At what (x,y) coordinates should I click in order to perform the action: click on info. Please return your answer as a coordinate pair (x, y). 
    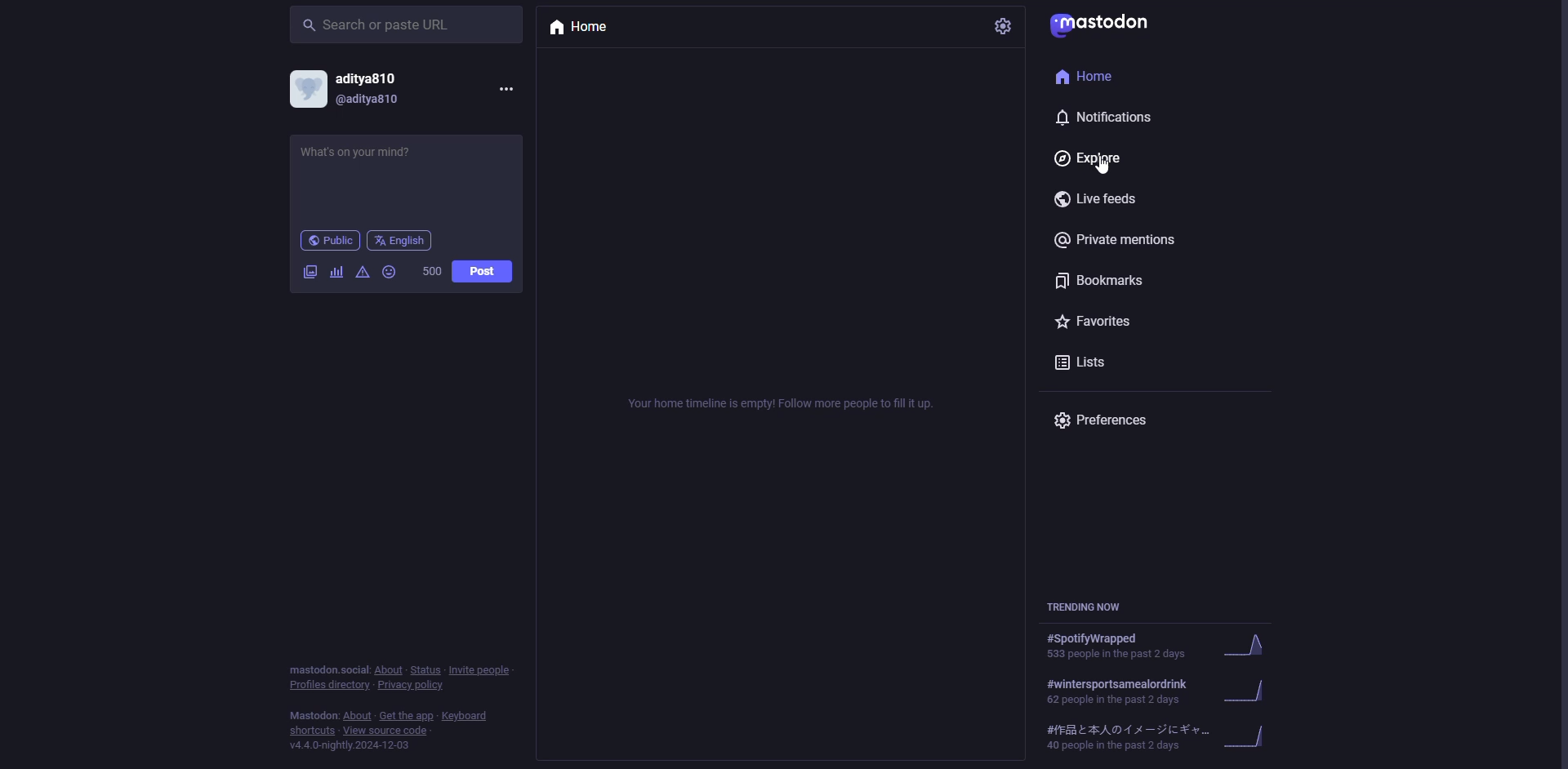
    Looking at the image, I should click on (398, 705).